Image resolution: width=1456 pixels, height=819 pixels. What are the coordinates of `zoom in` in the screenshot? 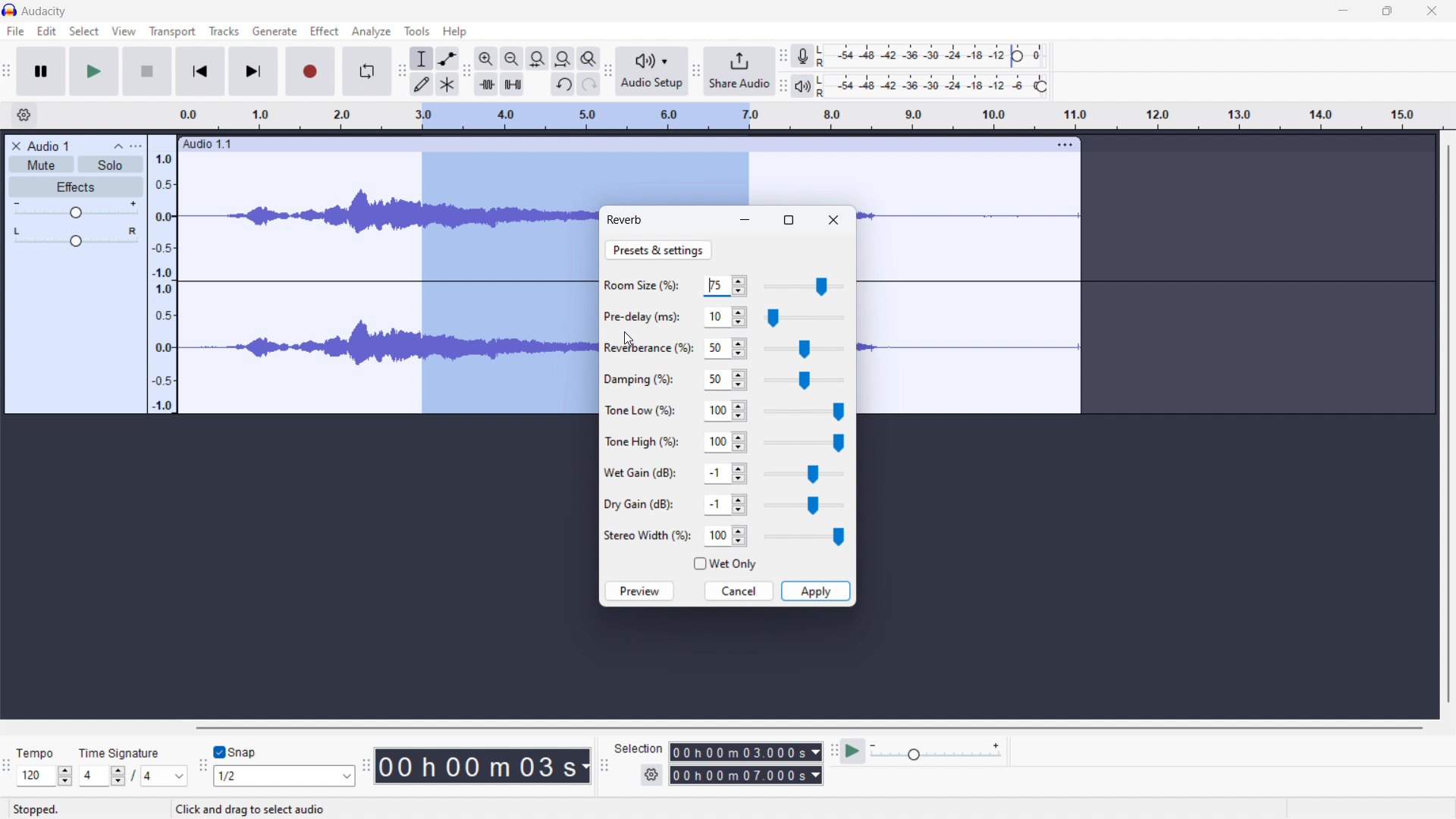 It's located at (485, 58).